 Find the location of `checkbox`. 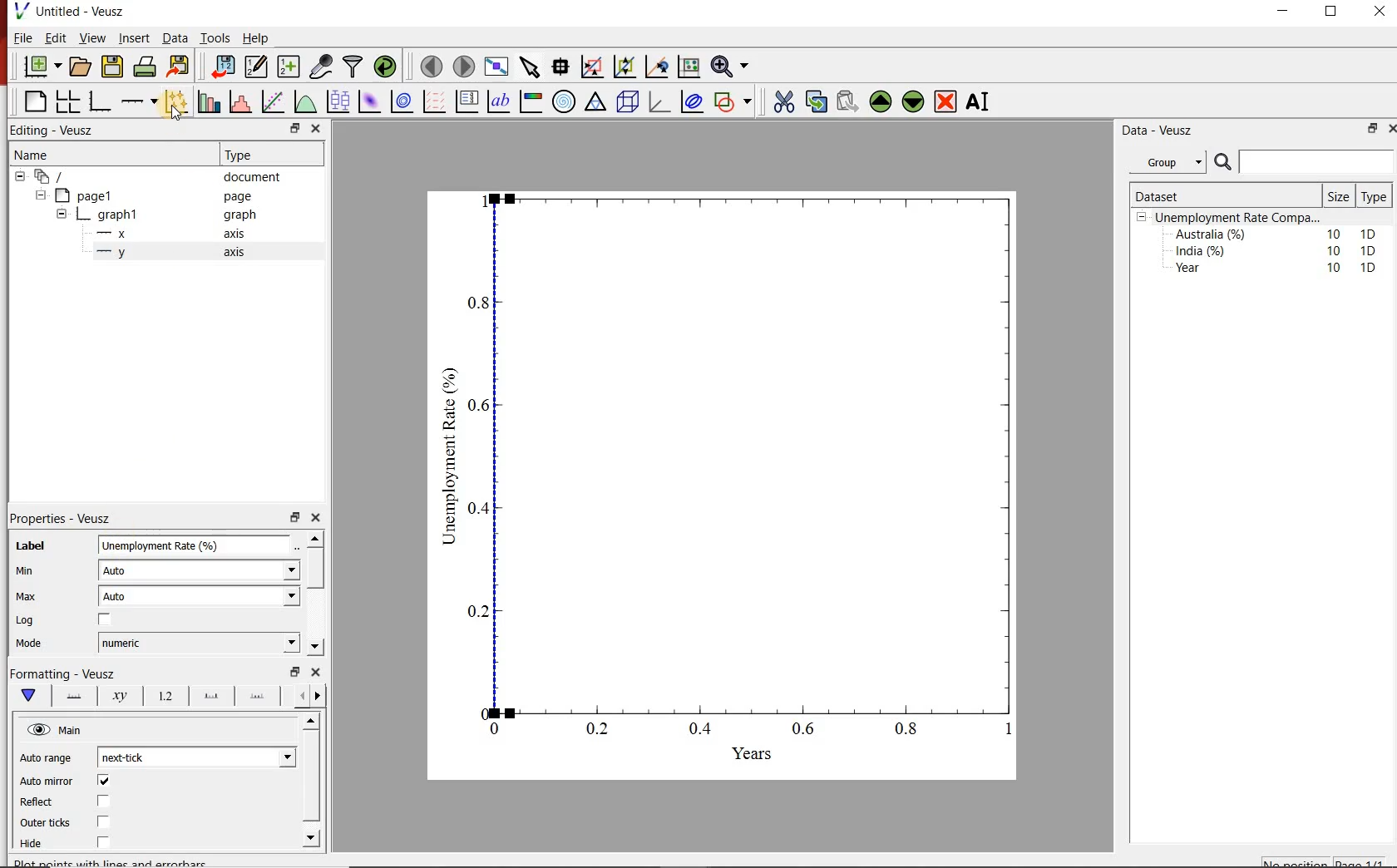

checkbox is located at coordinates (105, 823).